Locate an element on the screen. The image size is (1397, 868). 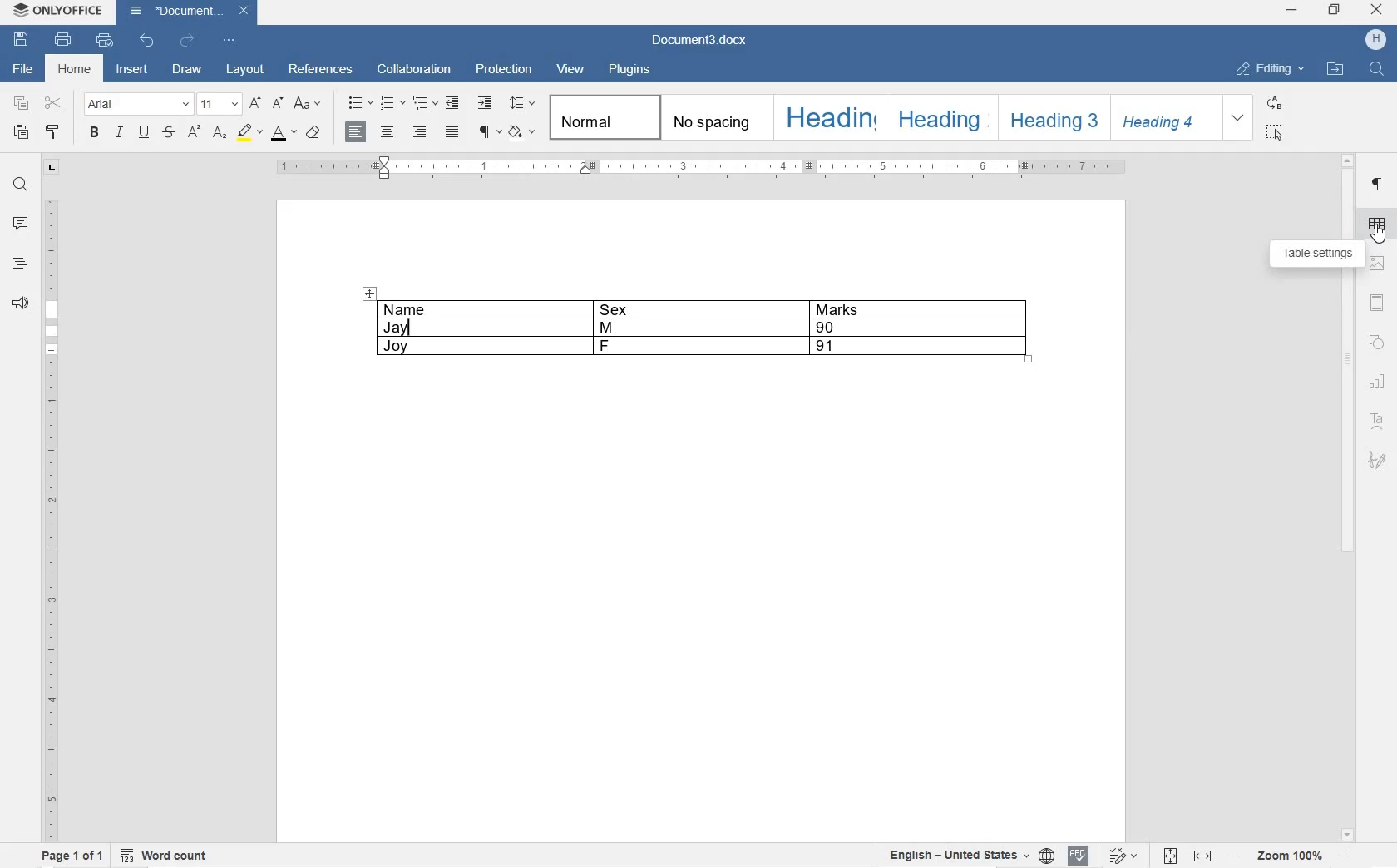
INCREMENT FONT SIZE is located at coordinates (256, 104).